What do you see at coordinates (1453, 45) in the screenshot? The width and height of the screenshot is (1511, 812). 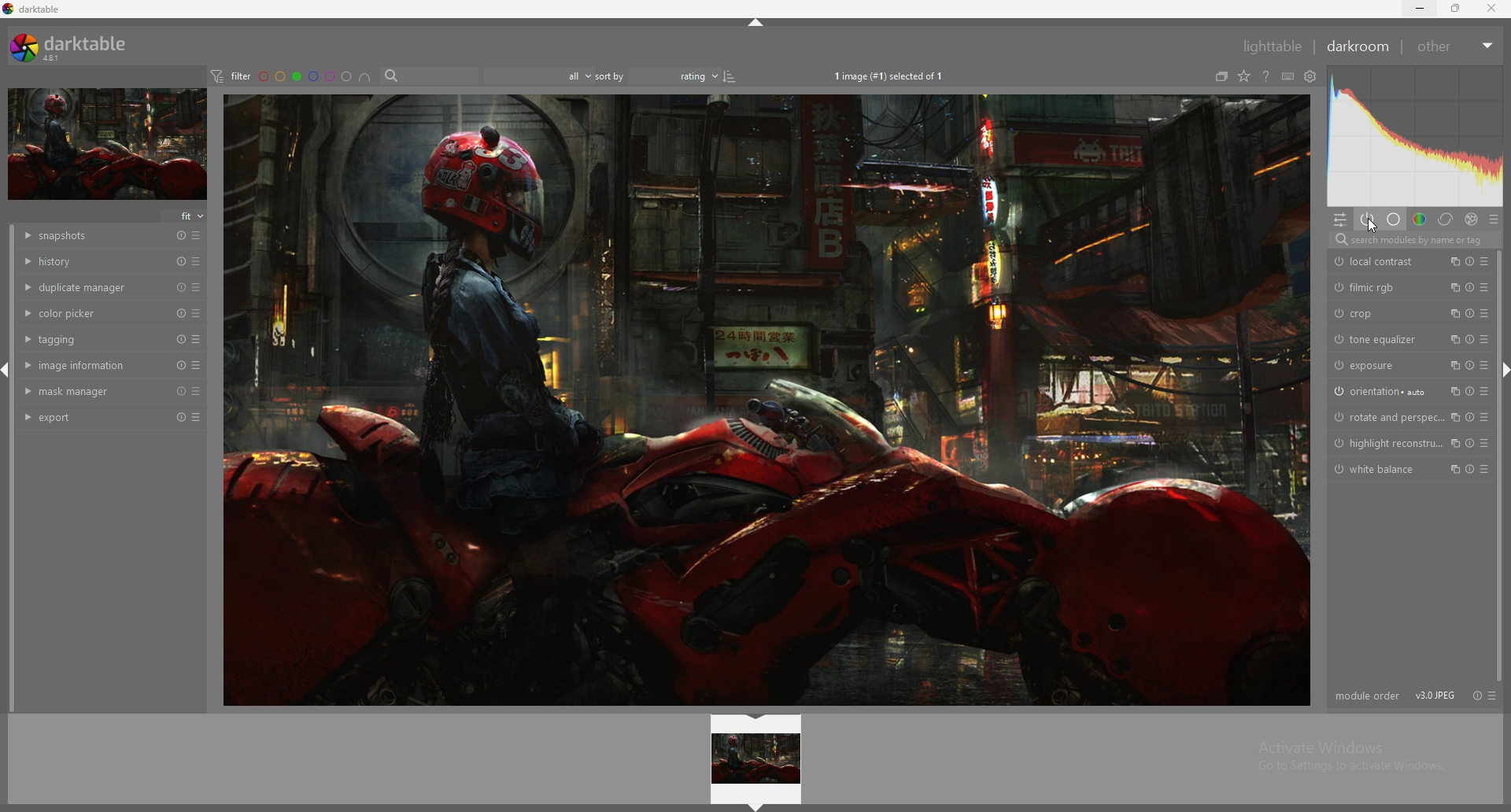 I see `other` at bounding box center [1453, 45].